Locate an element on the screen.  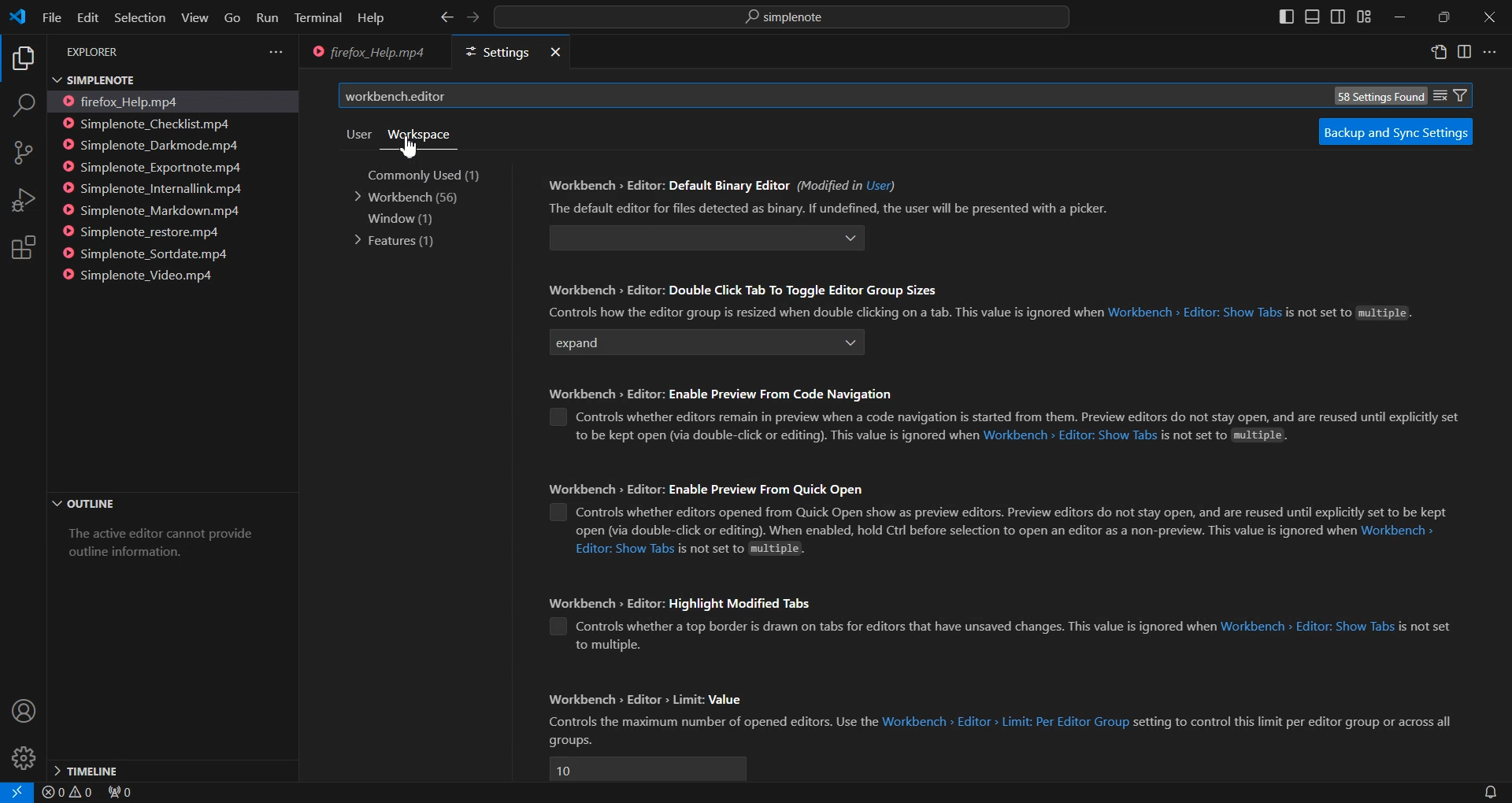
Run and debug is located at coordinates (22, 200).